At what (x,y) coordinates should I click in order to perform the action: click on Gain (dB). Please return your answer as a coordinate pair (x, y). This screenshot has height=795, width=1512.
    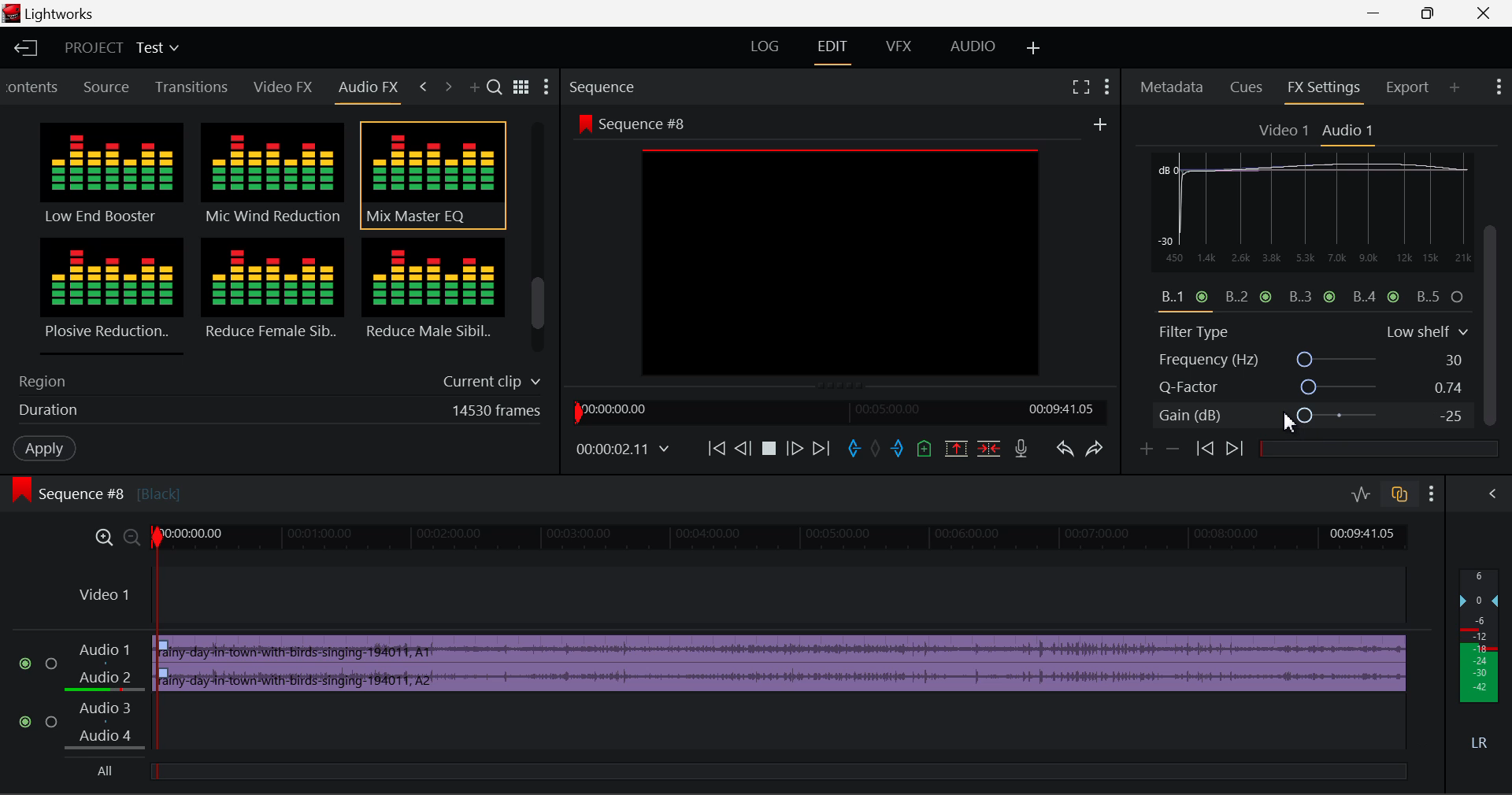
    Looking at the image, I should click on (1310, 418).